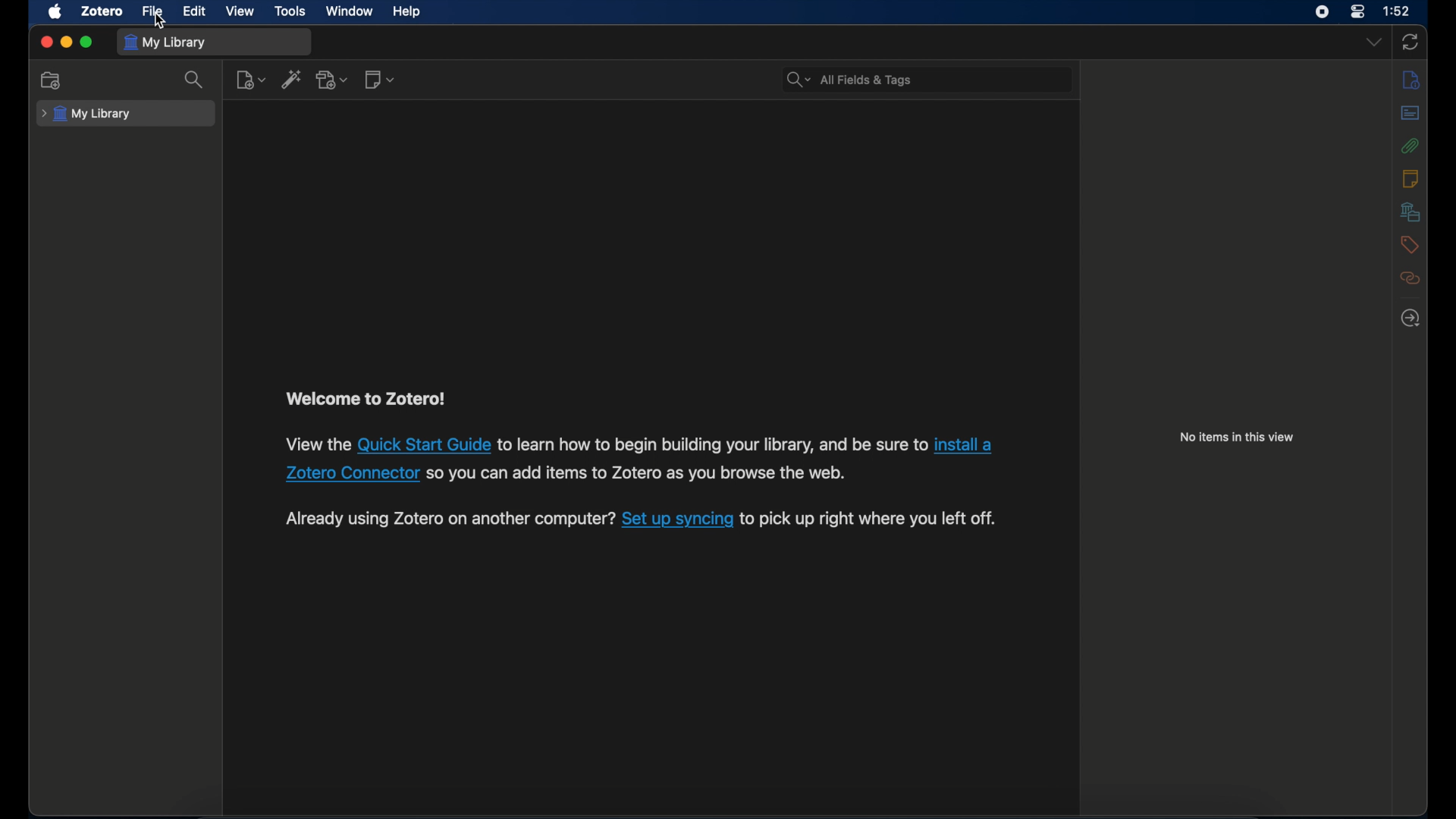  What do you see at coordinates (290, 11) in the screenshot?
I see `tools` at bounding box center [290, 11].